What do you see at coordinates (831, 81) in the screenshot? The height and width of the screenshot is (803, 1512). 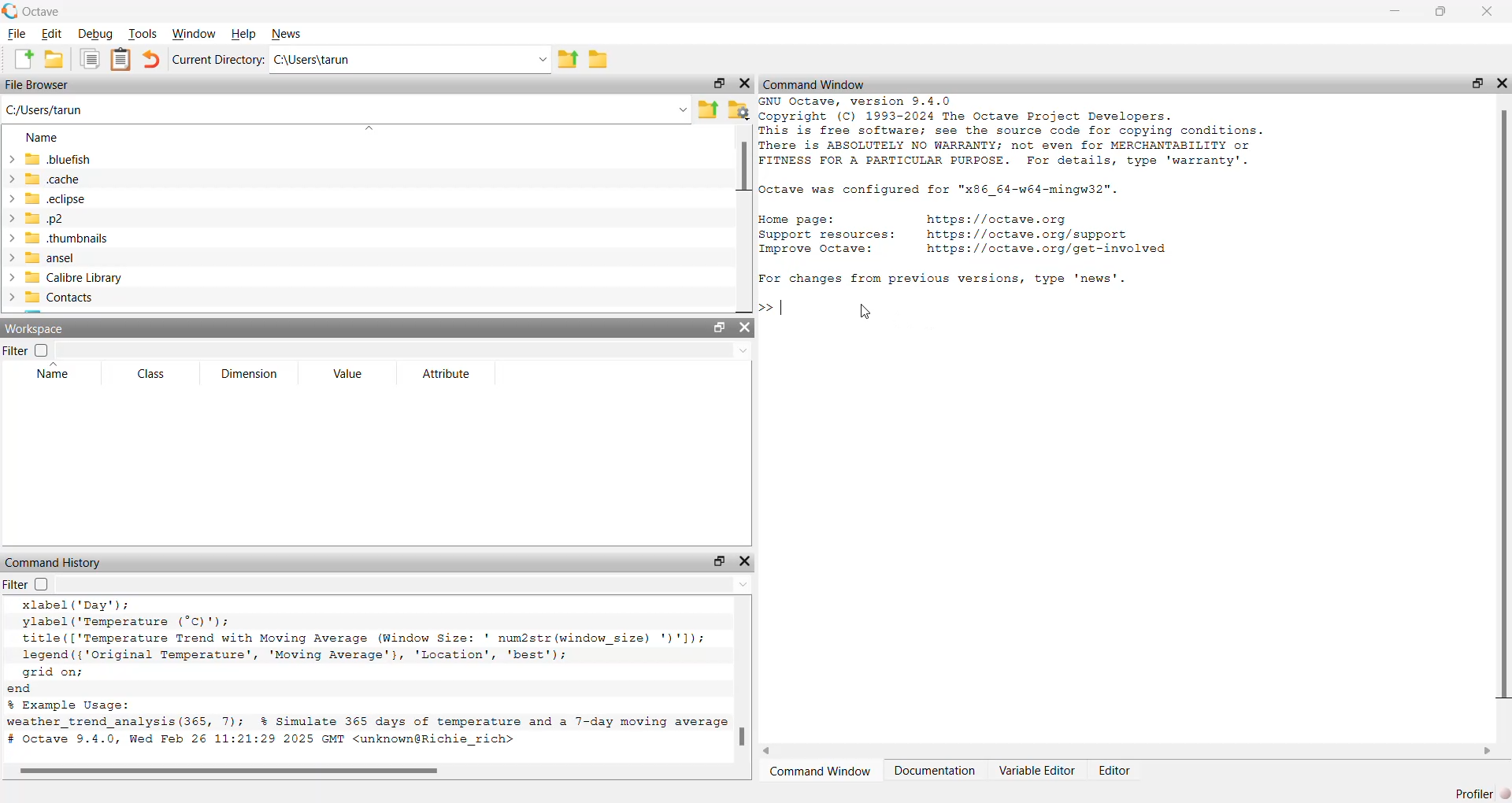 I see `X Command Window` at bounding box center [831, 81].